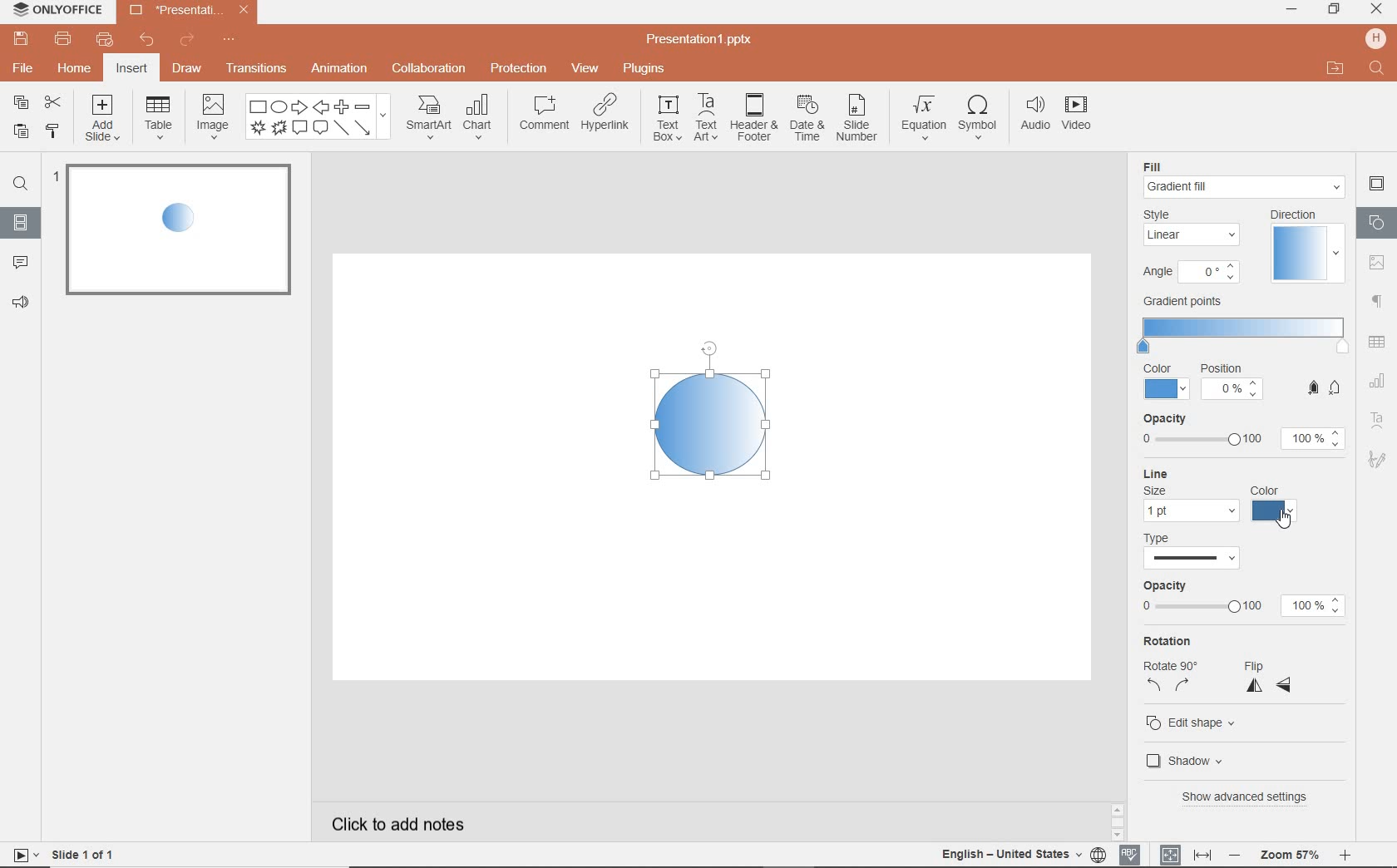 This screenshot has height=868, width=1397. I want to click on find, so click(20, 182).